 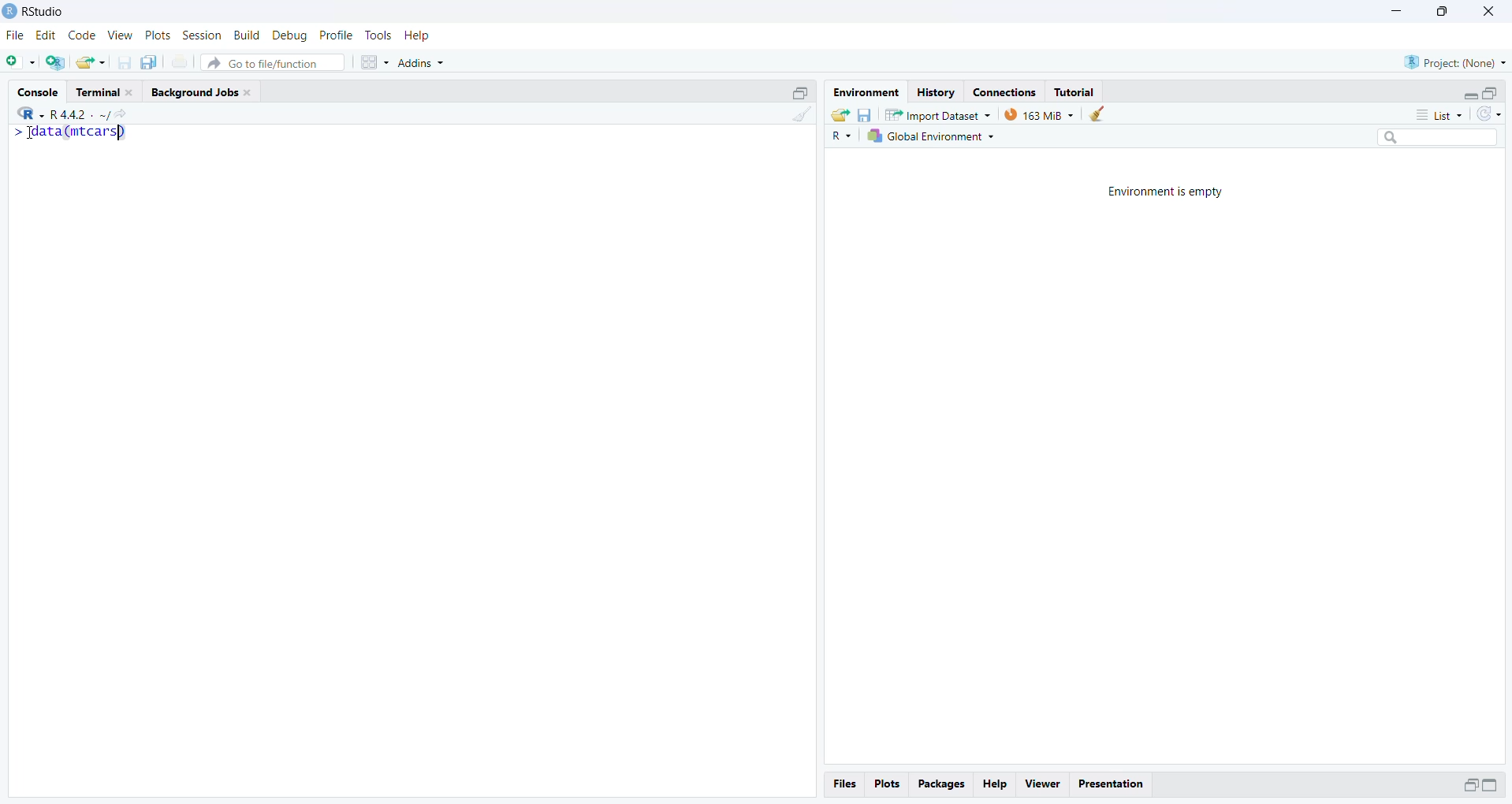 What do you see at coordinates (91, 62) in the screenshot?
I see `share as` at bounding box center [91, 62].